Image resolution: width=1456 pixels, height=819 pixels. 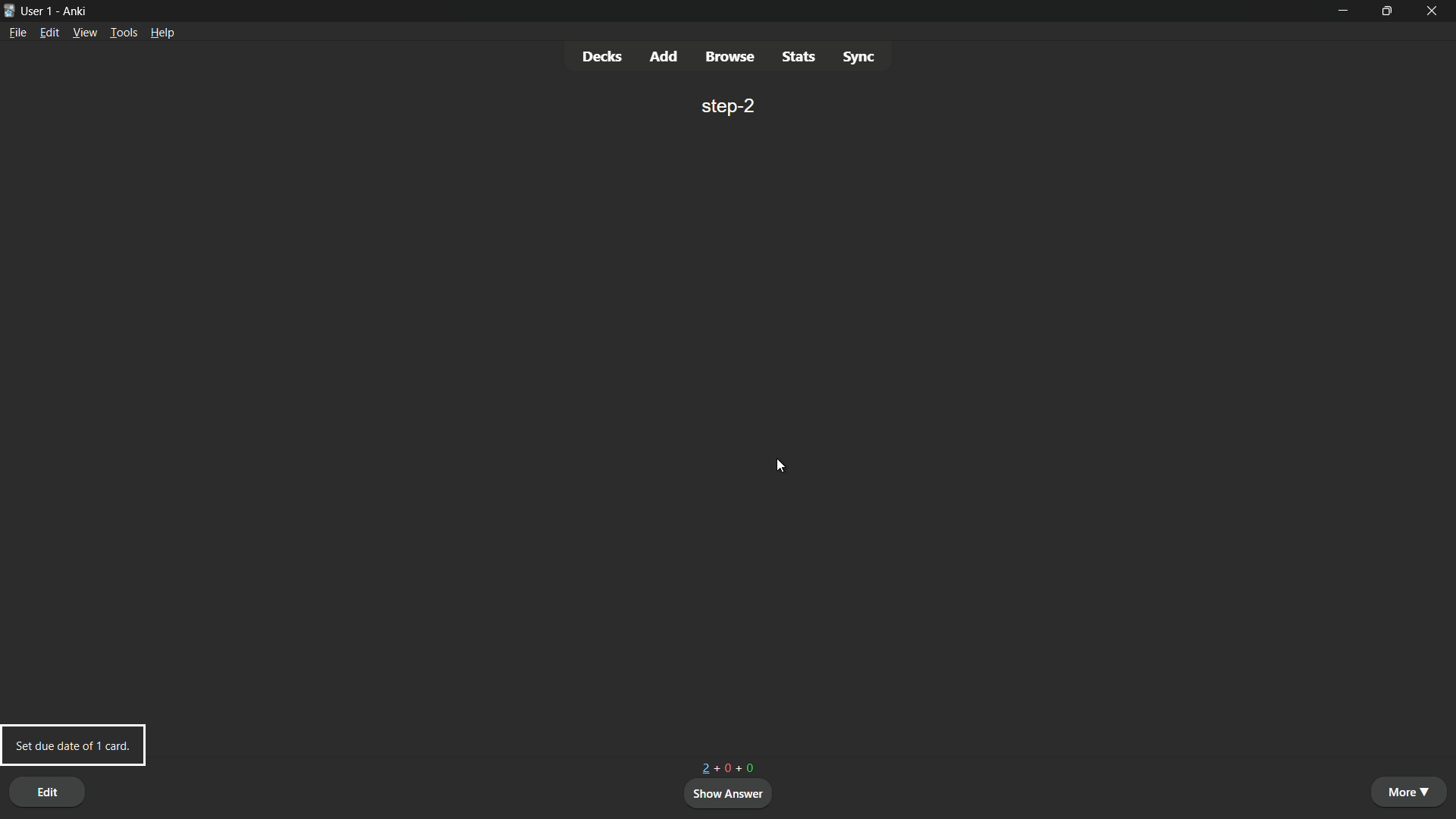 What do you see at coordinates (750, 769) in the screenshot?
I see `+0` at bounding box center [750, 769].